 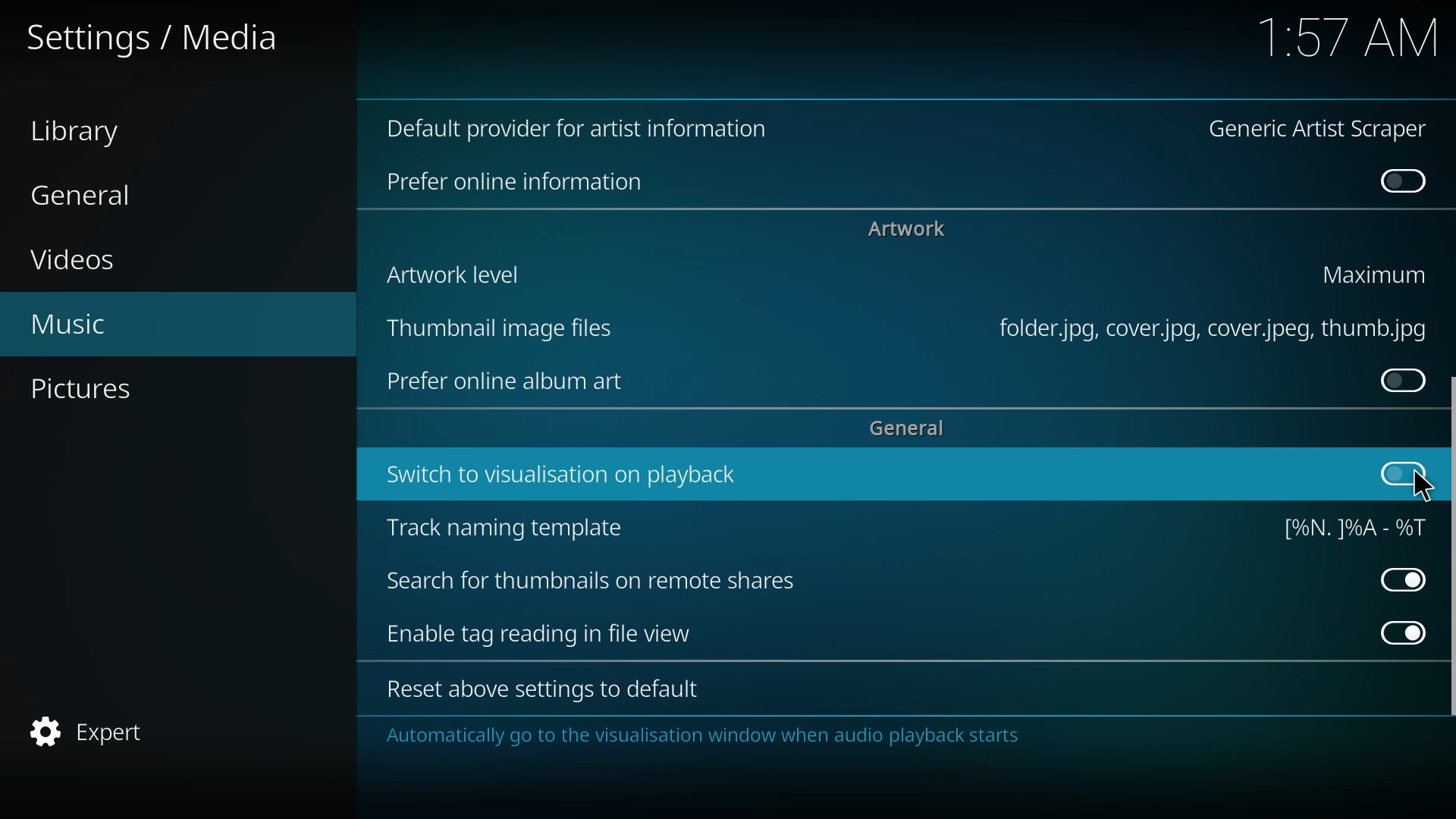 What do you see at coordinates (1206, 329) in the screenshot?
I see `file type` at bounding box center [1206, 329].